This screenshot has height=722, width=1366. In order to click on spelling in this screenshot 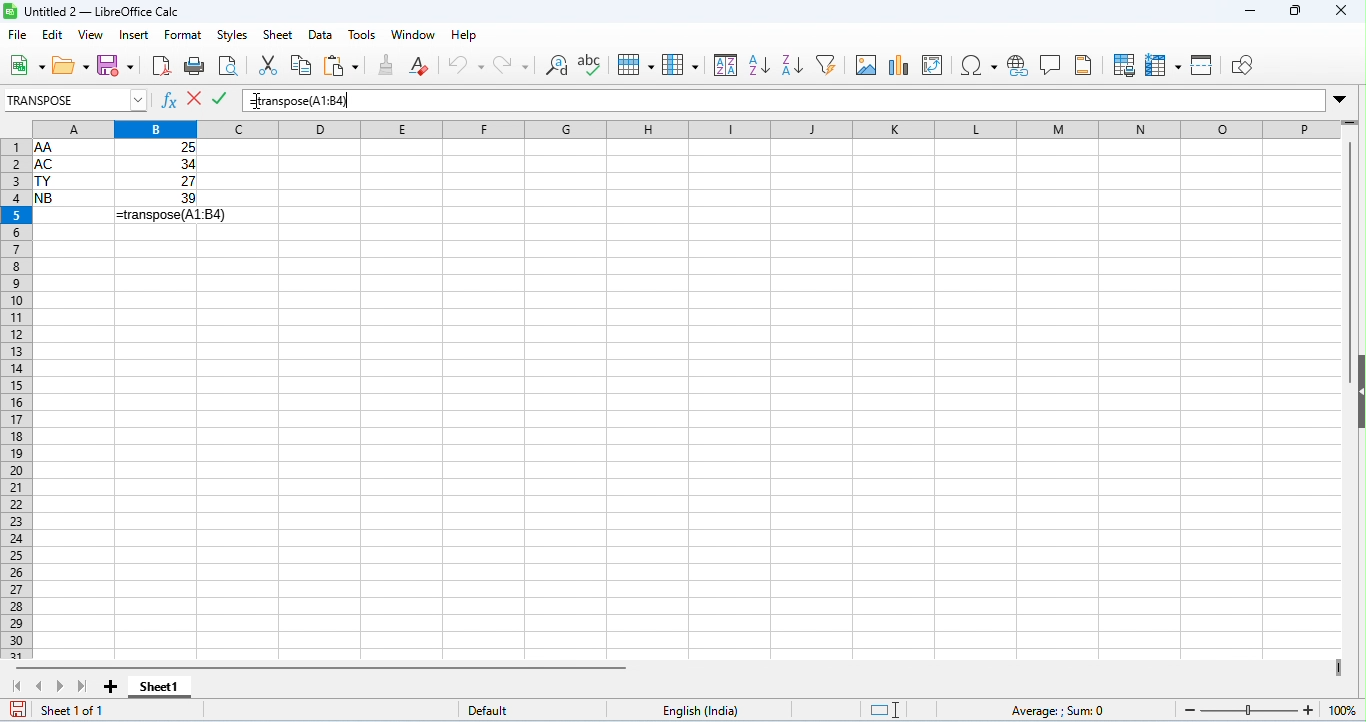, I will do `click(592, 64)`.